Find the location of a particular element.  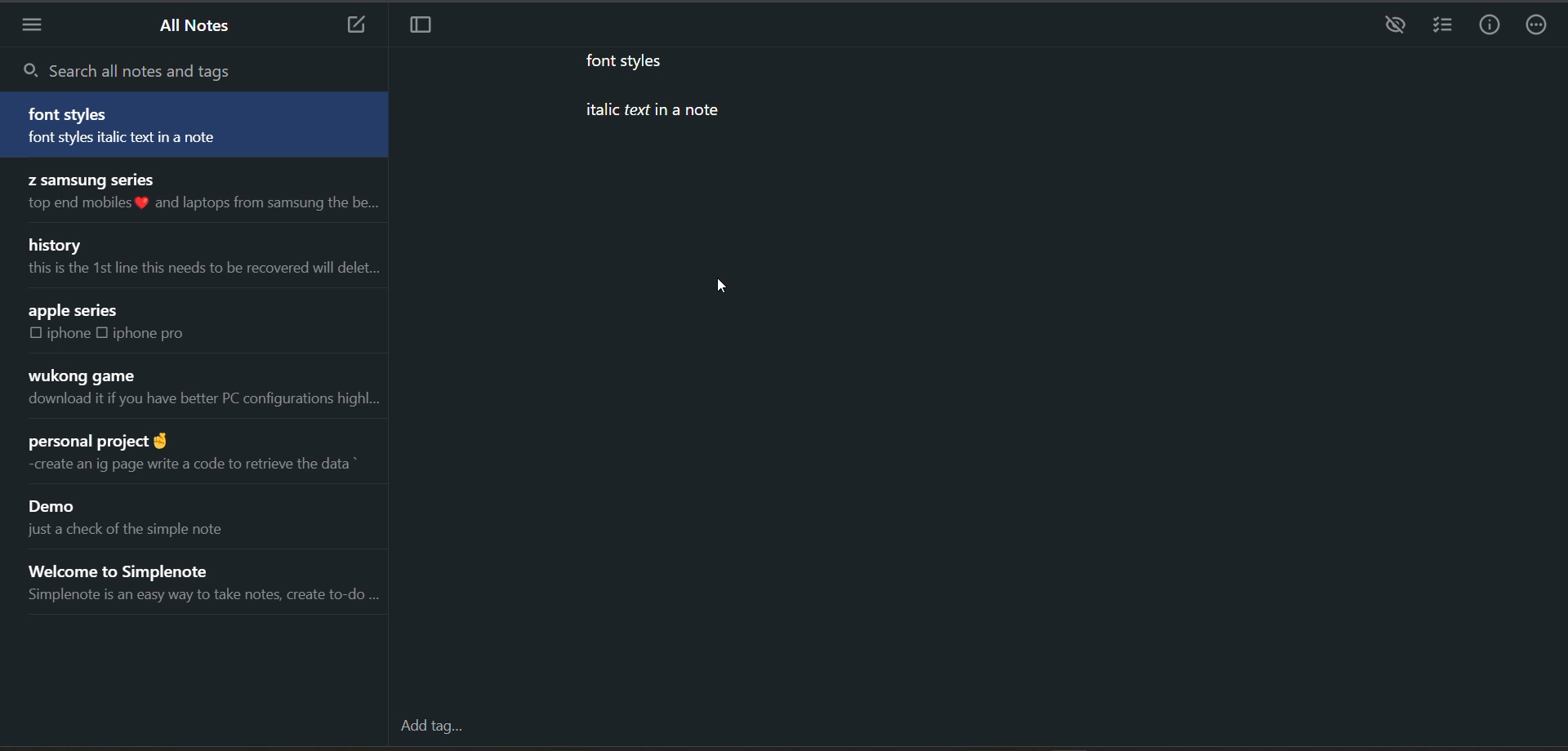

add new note is located at coordinates (354, 26).